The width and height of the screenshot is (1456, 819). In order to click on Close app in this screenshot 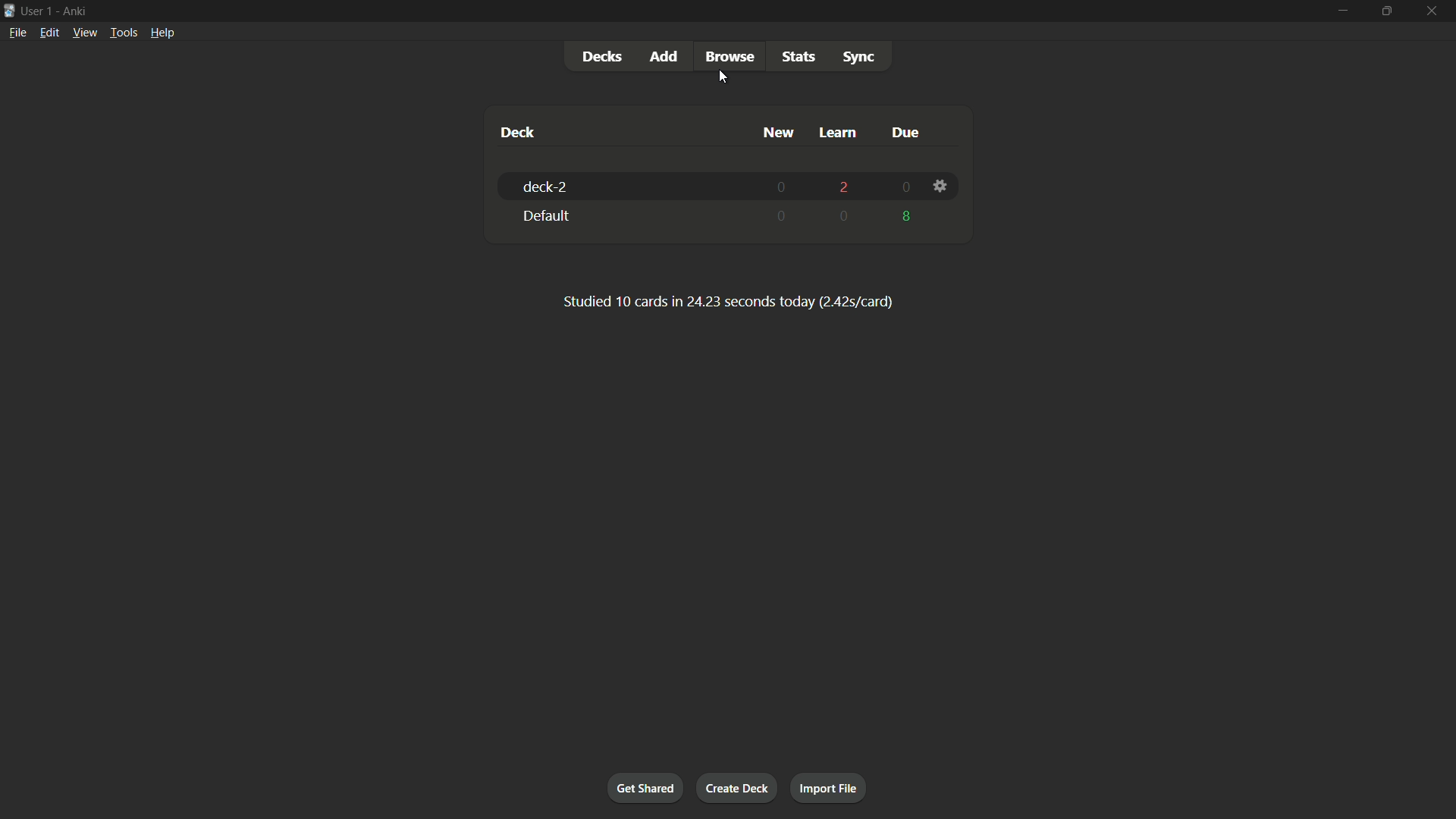, I will do `click(1436, 11)`.